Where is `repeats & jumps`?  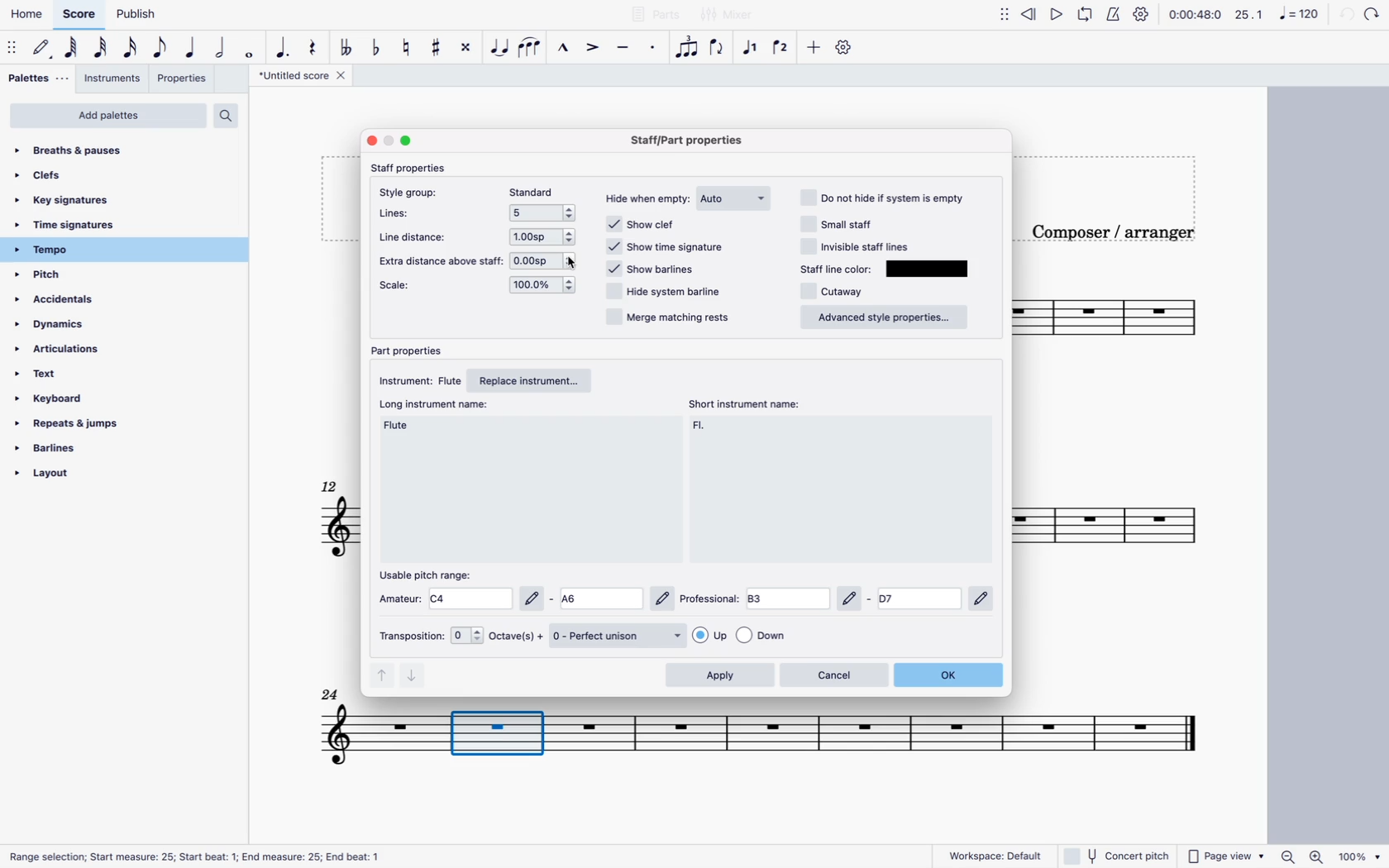
repeats & jumps is located at coordinates (75, 422).